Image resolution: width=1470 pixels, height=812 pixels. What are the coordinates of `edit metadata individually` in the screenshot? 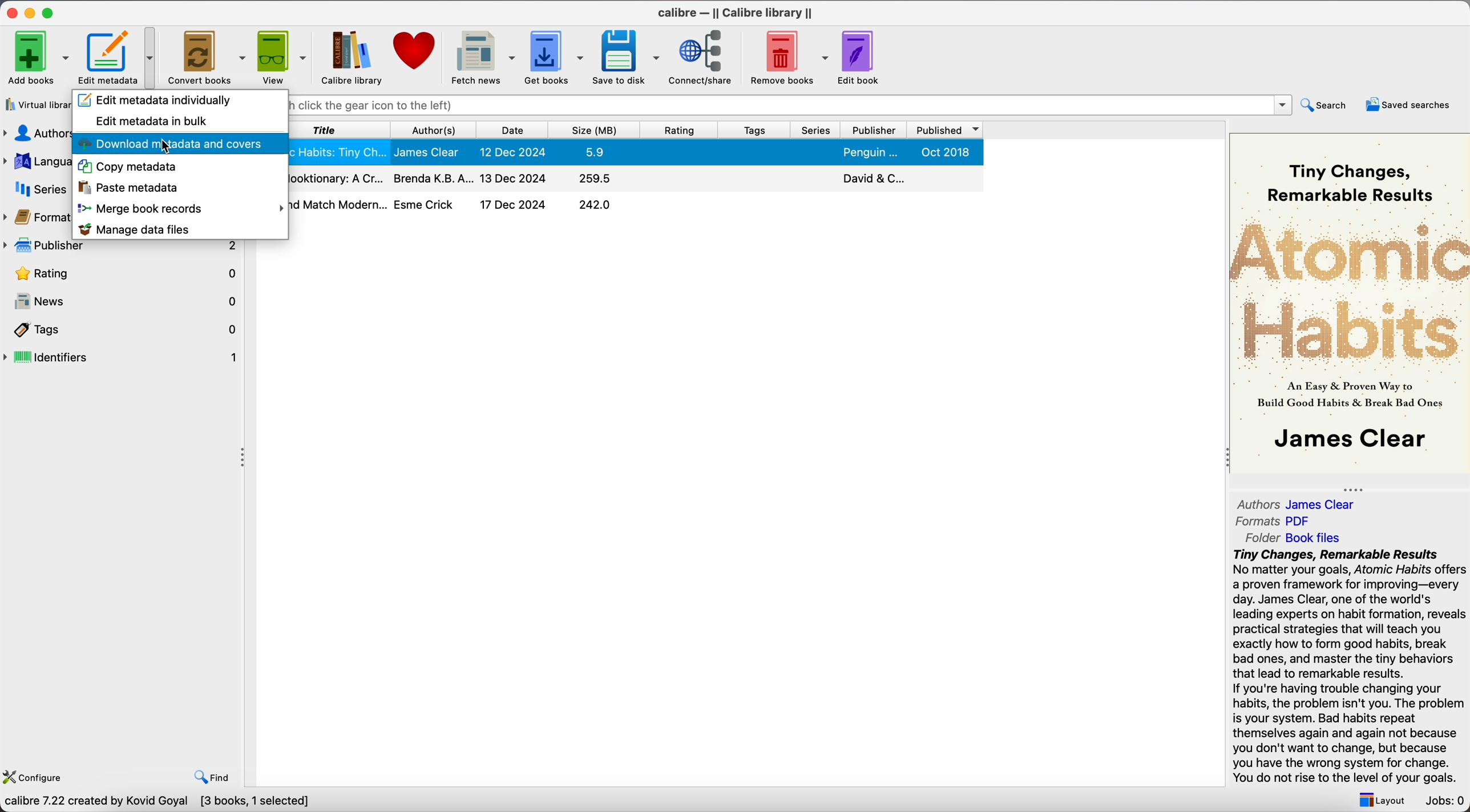 It's located at (154, 100).